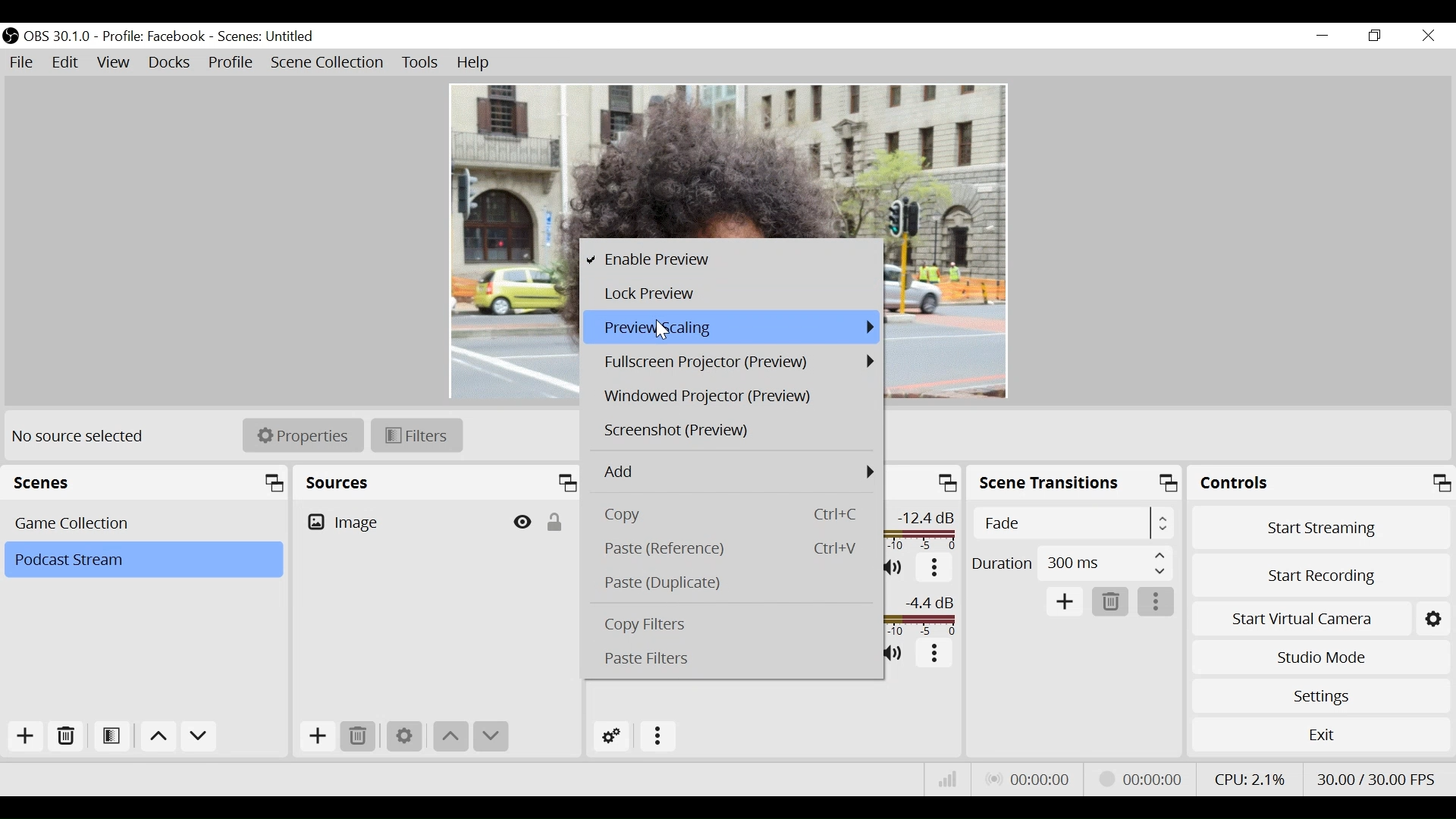 The height and width of the screenshot is (819, 1456). What do you see at coordinates (438, 482) in the screenshot?
I see `Sources Panel` at bounding box center [438, 482].